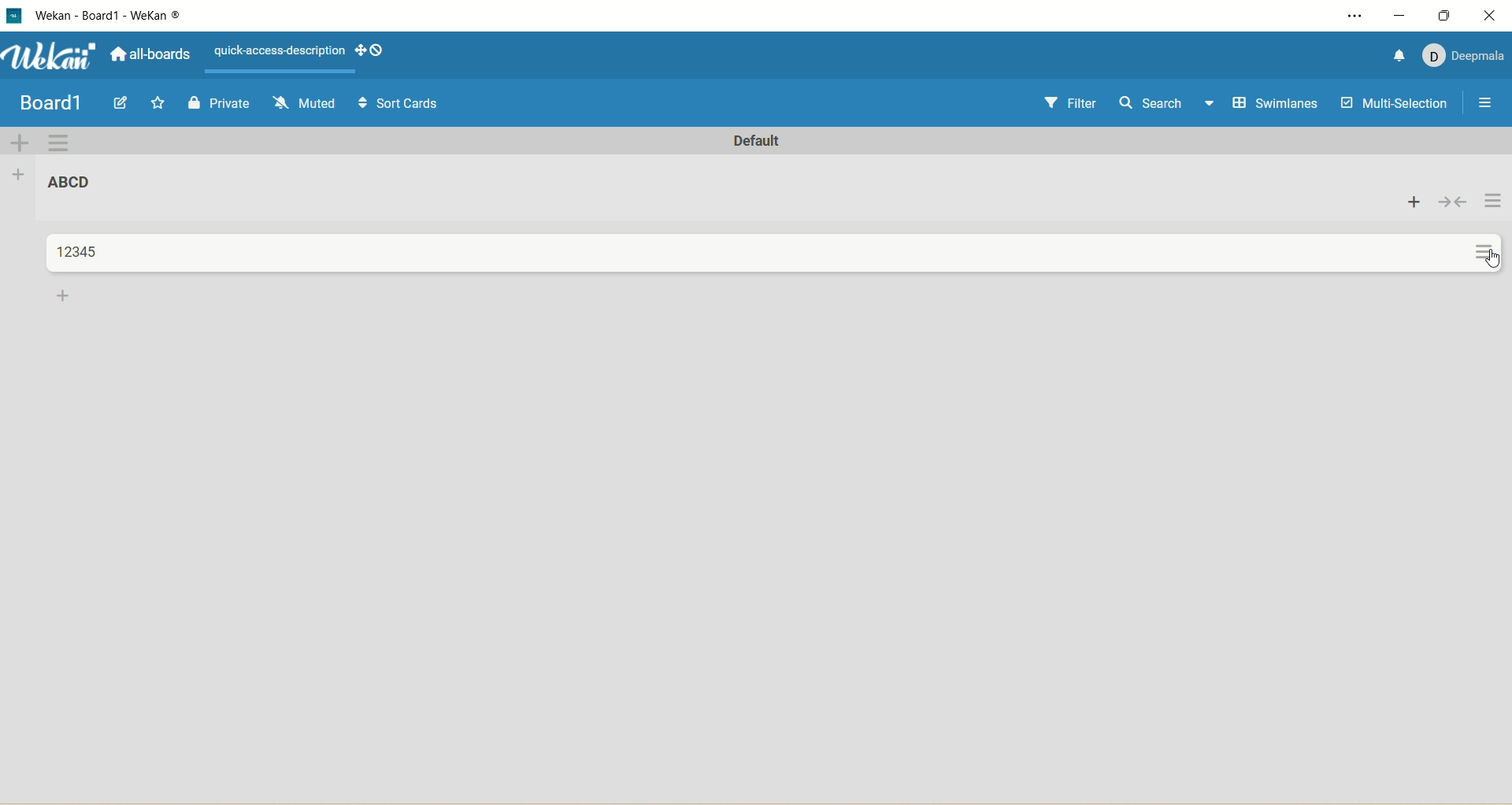 The image size is (1512, 805). Describe the element at coordinates (1401, 17) in the screenshot. I see `minimize` at that location.